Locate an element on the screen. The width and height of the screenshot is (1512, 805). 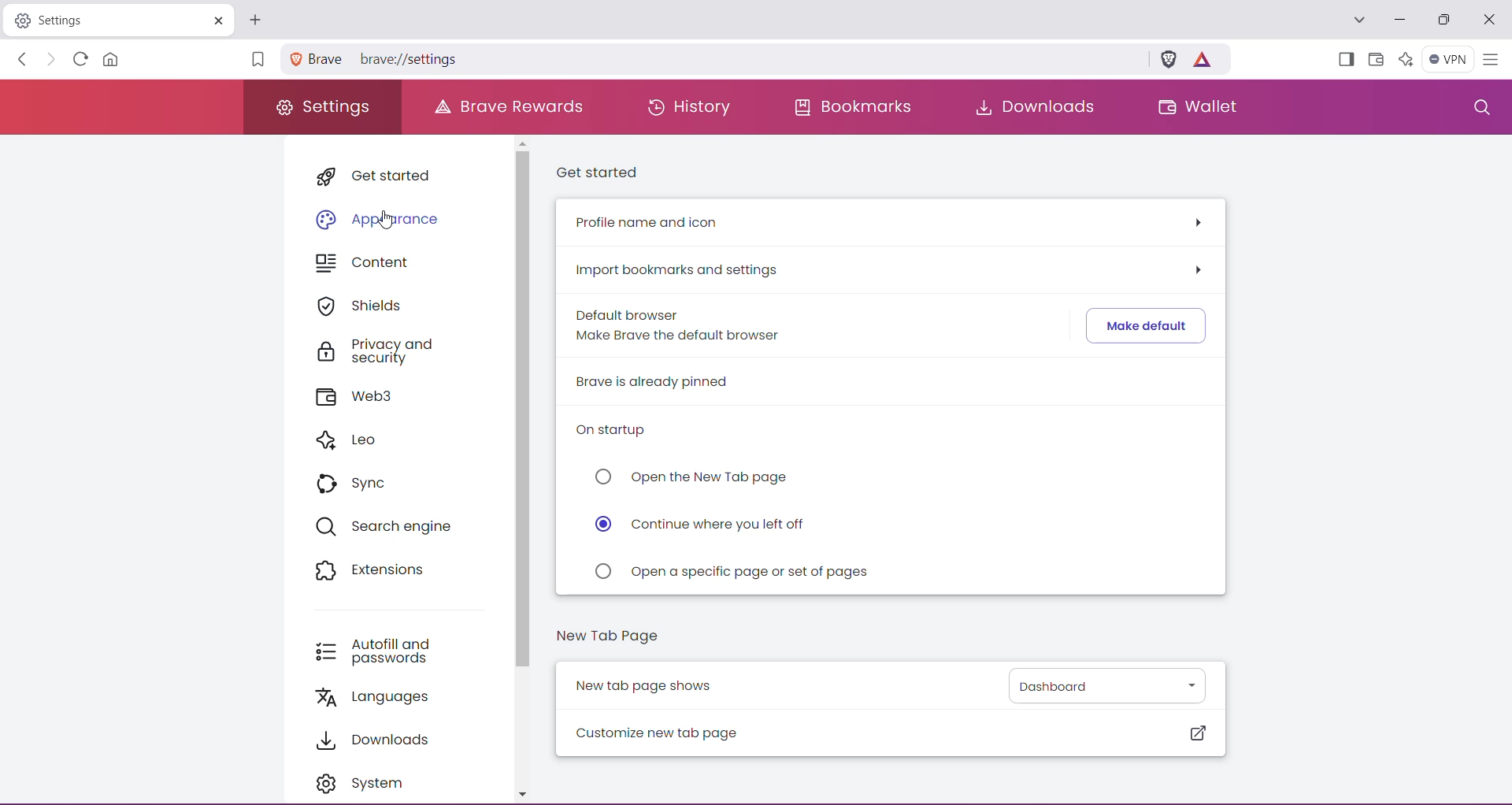
Click to 'Open the New Tab page' on startup is located at coordinates (695, 475).